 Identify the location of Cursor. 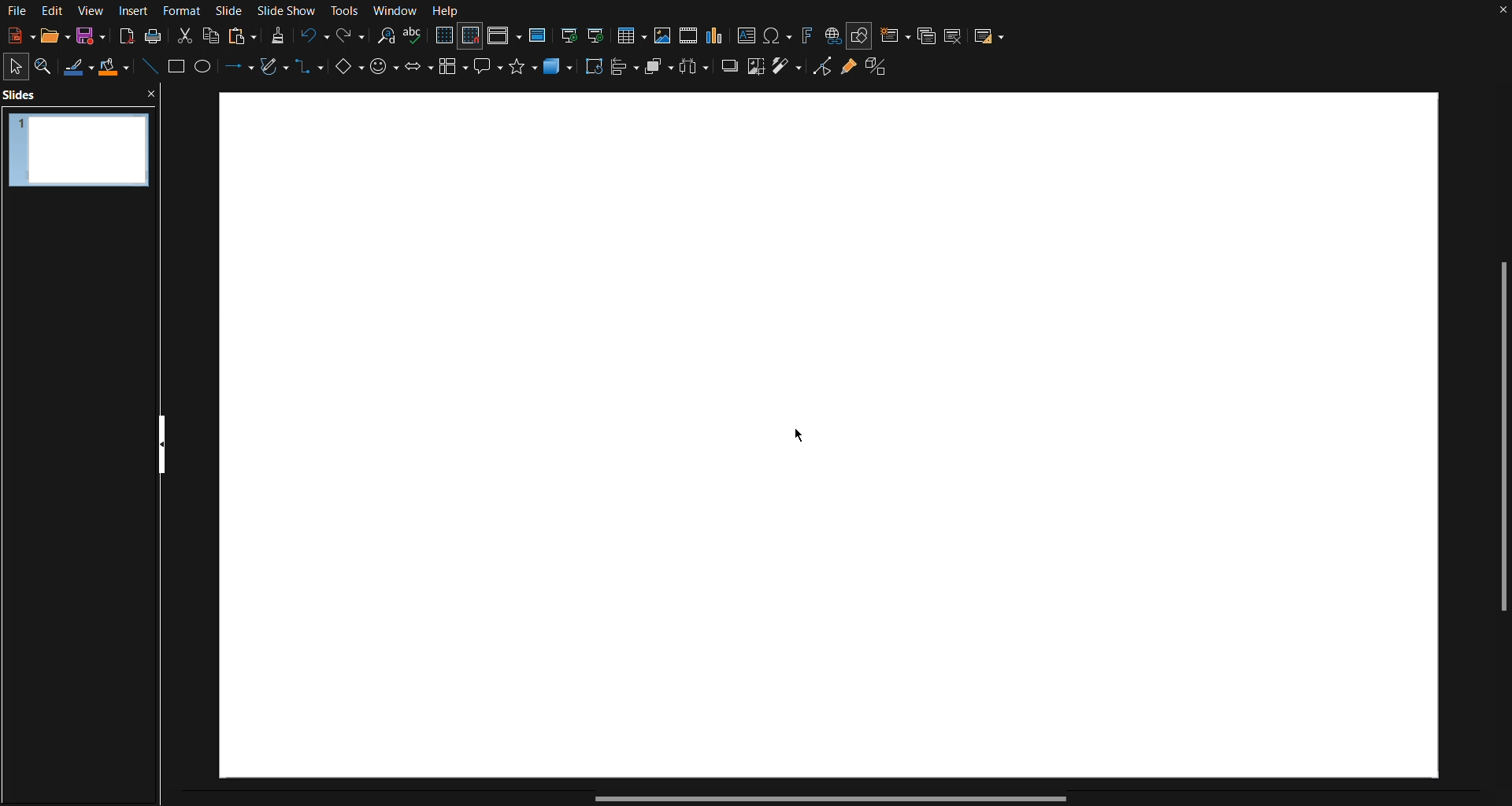
(799, 434).